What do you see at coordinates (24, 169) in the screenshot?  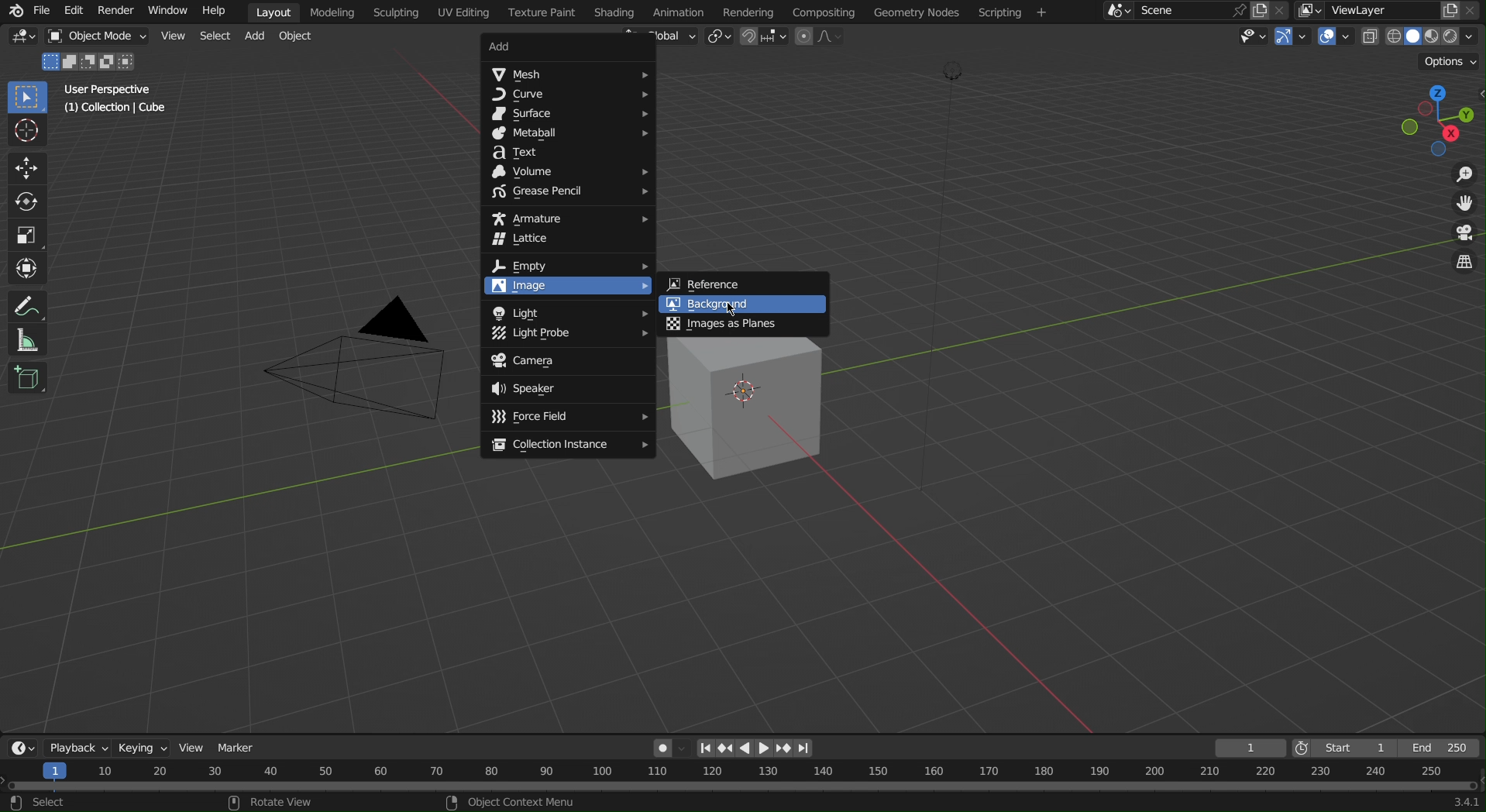 I see `Move` at bounding box center [24, 169].